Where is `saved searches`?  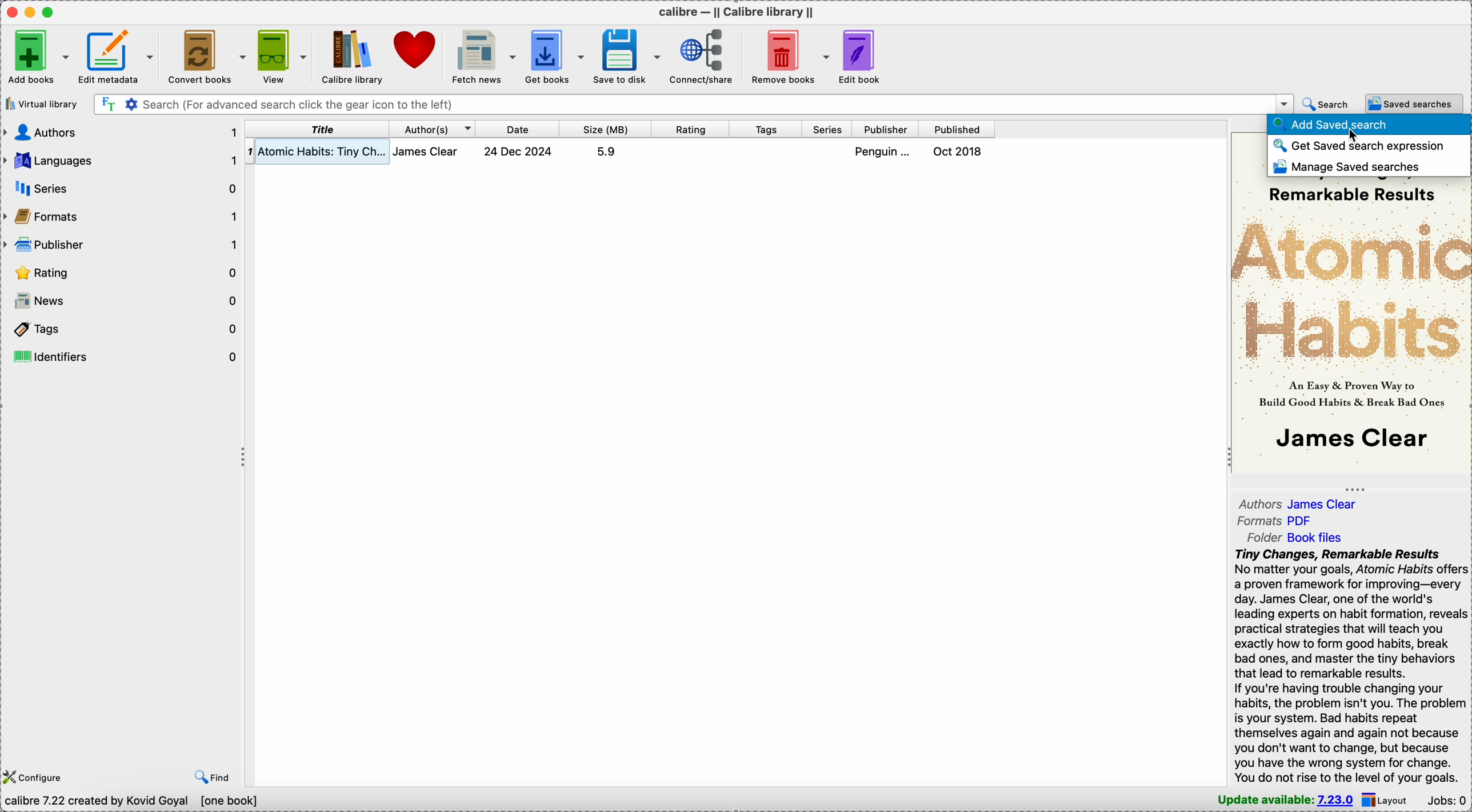
saved searches is located at coordinates (1414, 104).